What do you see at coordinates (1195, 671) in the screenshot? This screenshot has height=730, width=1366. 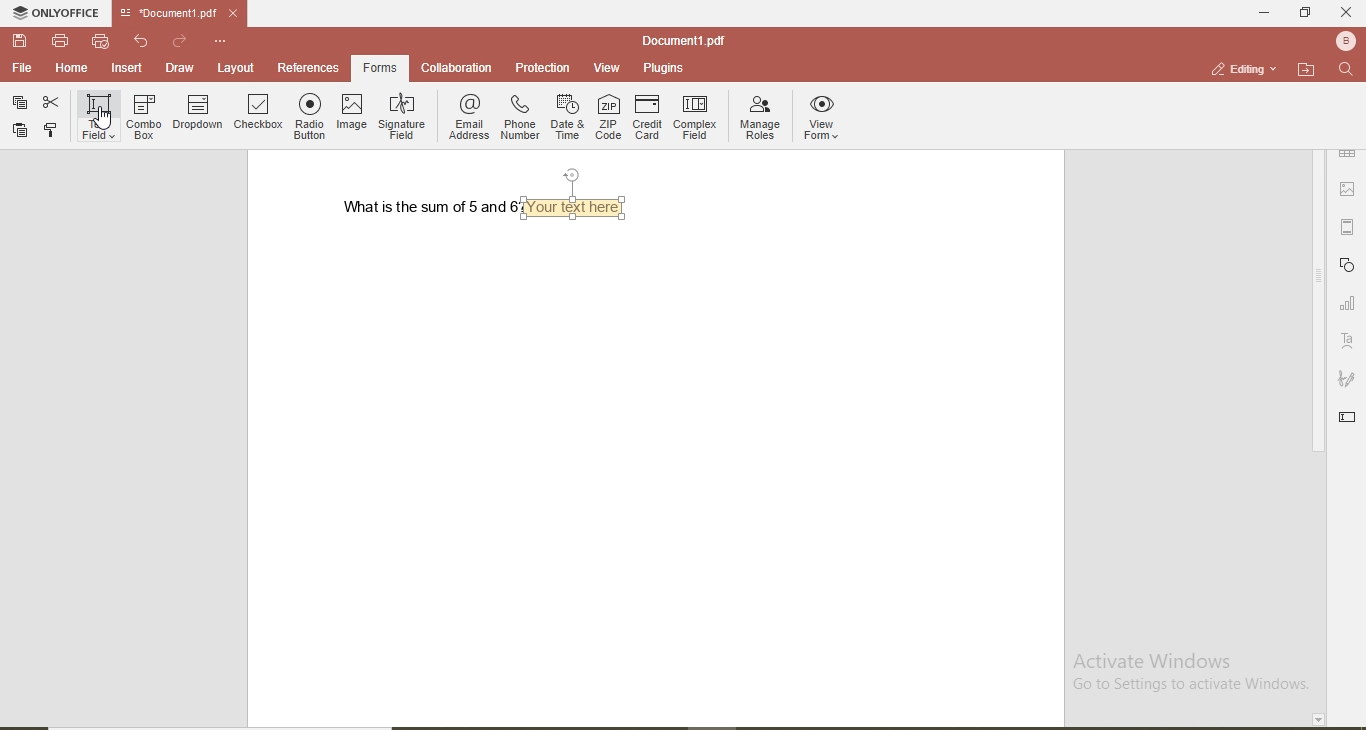 I see `Activate windows` at bounding box center [1195, 671].